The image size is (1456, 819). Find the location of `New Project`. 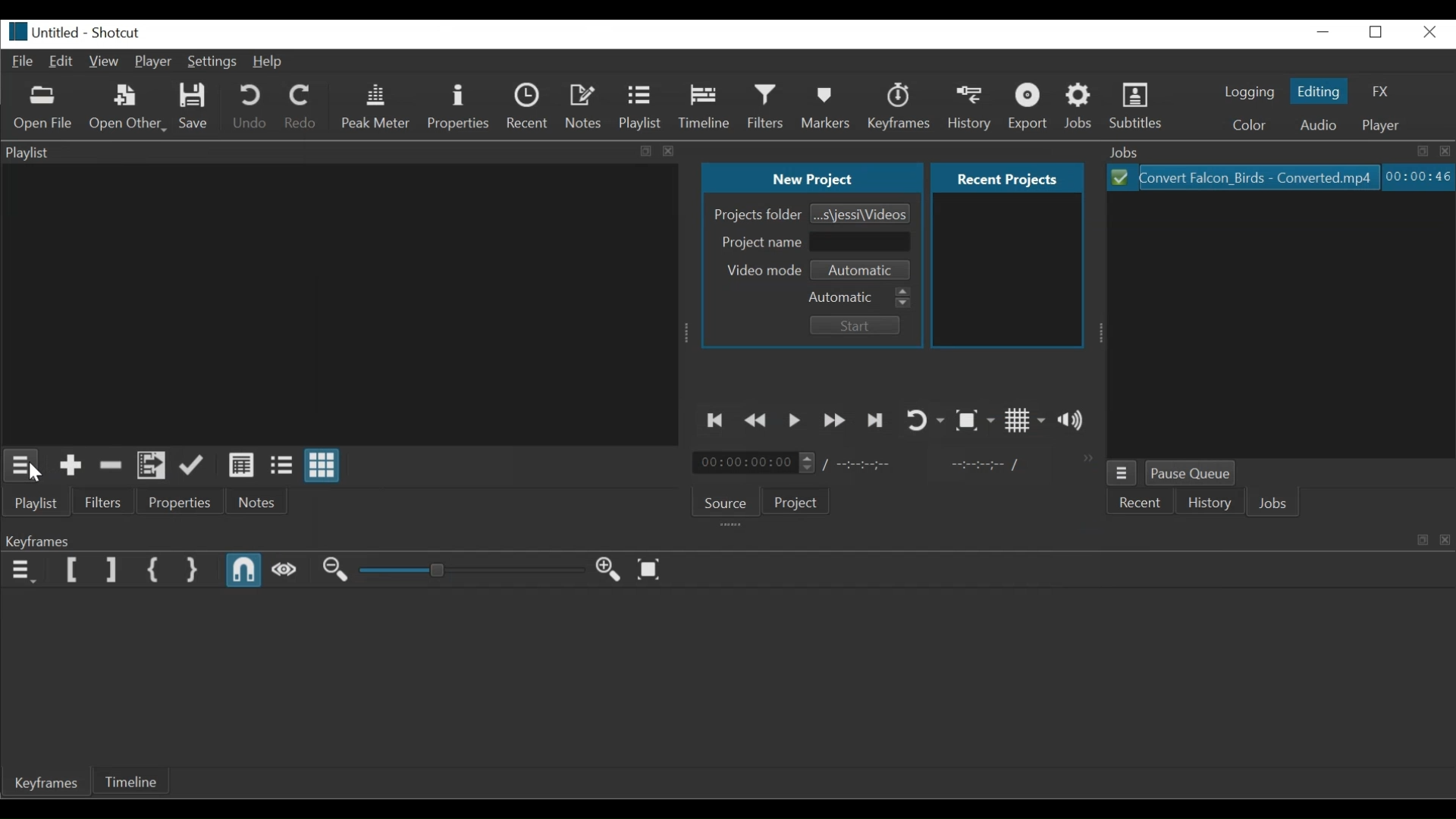

New Project is located at coordinates (811, 177).